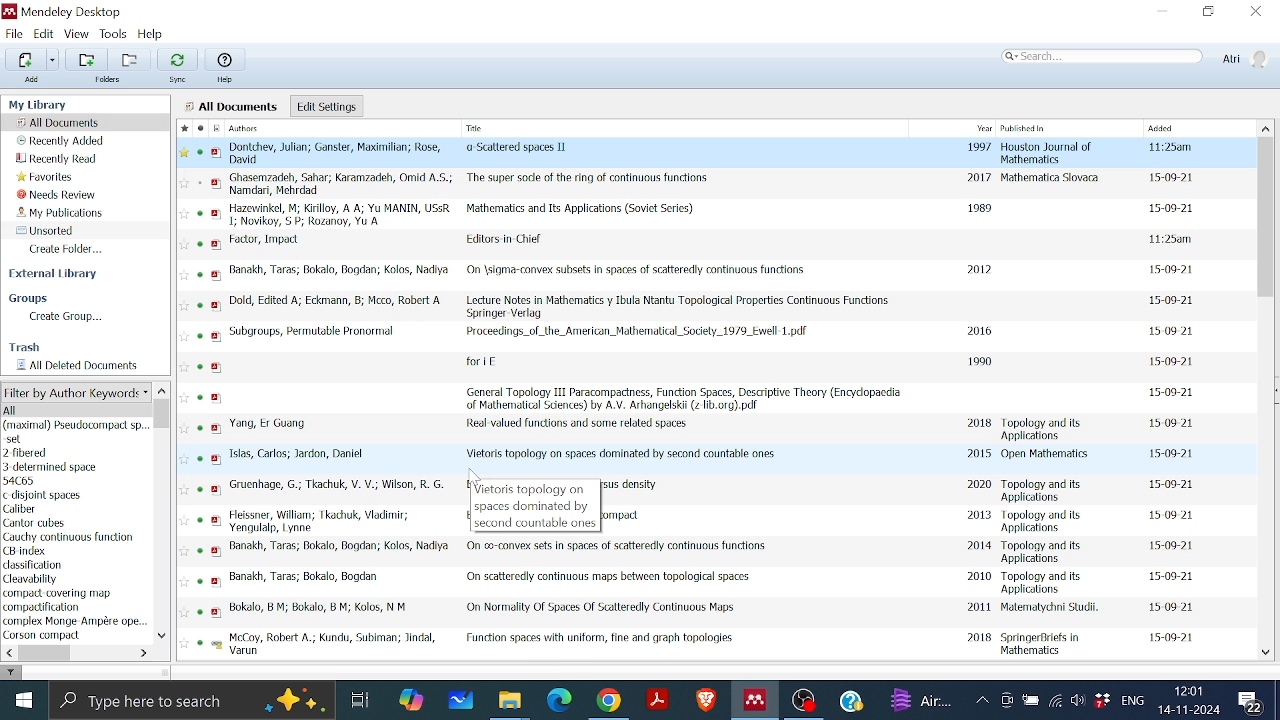 Image resolution: width=1280 pixels, height=720 pixels. What do you see at coordinates (71, 12) in the screenshot?
I see `Mendeley logo` at bounding box center [71, 12].